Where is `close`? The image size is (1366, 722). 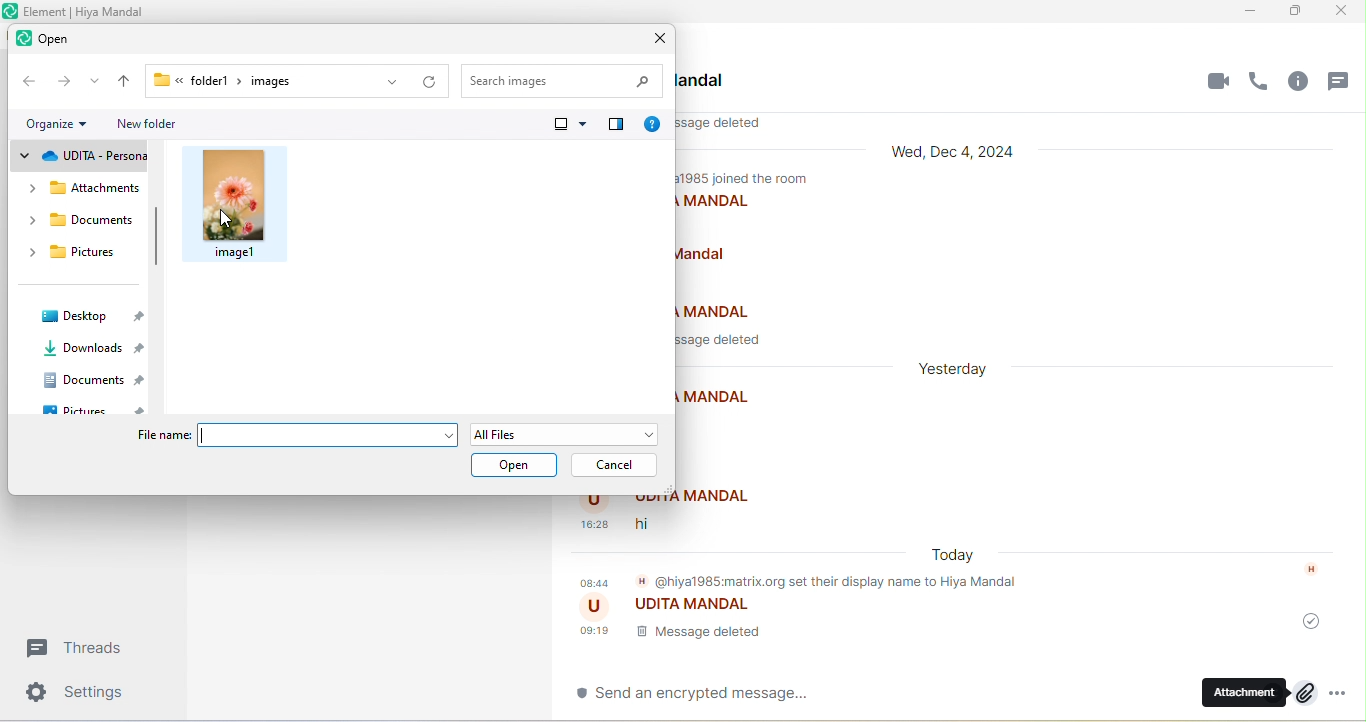 close is located at coordinates (659, 38).